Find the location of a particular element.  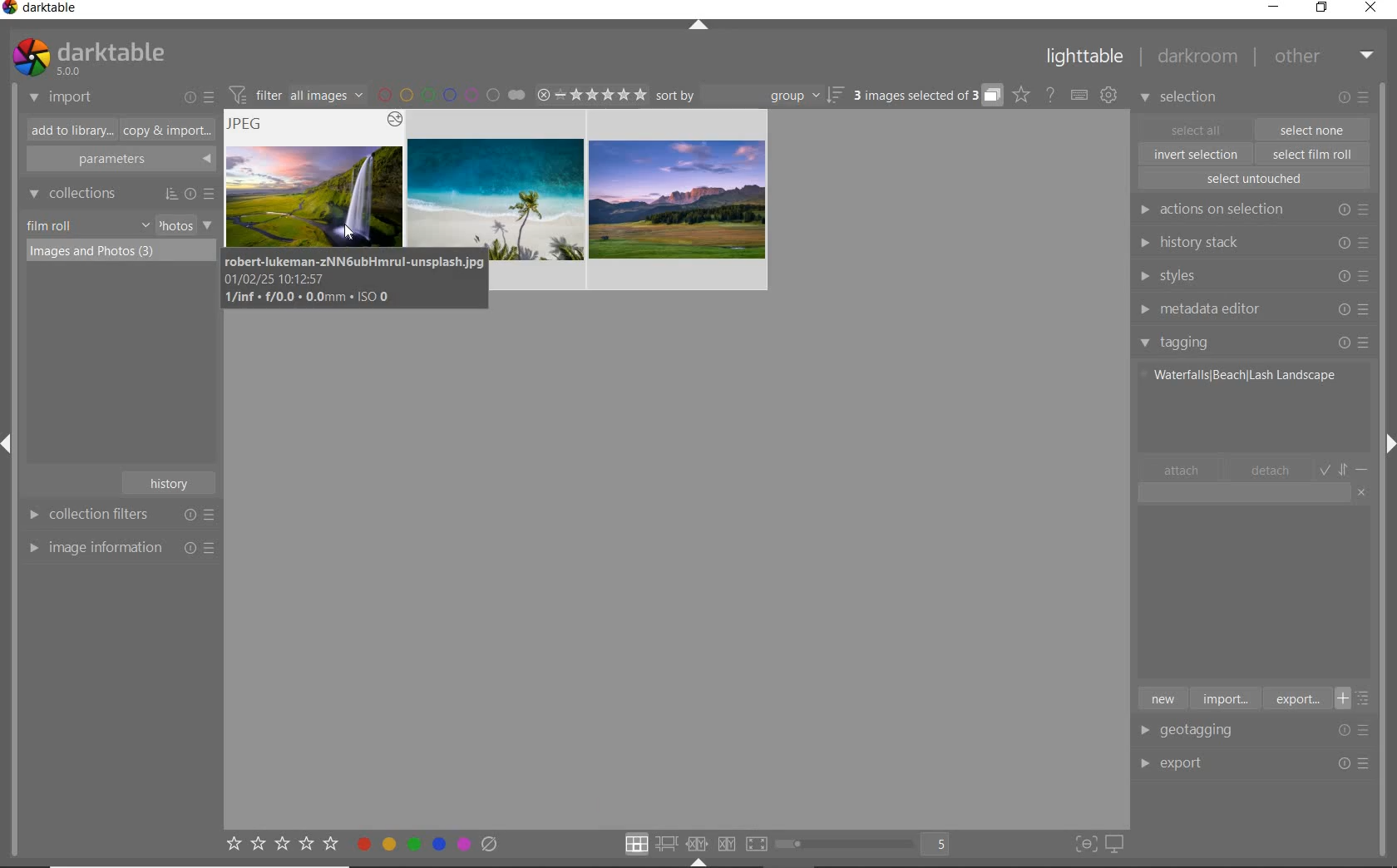

select untouched is located at coordinates (1253, 179).